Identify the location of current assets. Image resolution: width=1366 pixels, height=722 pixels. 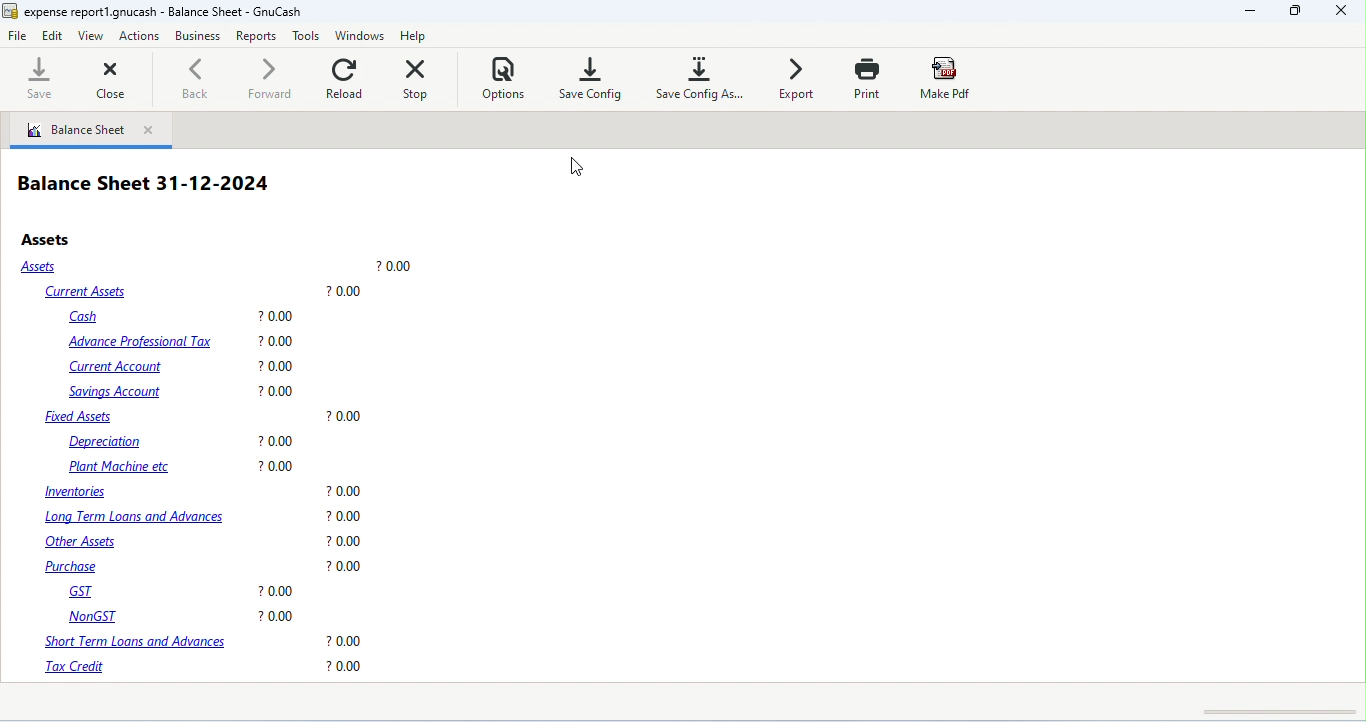
(204, 291).